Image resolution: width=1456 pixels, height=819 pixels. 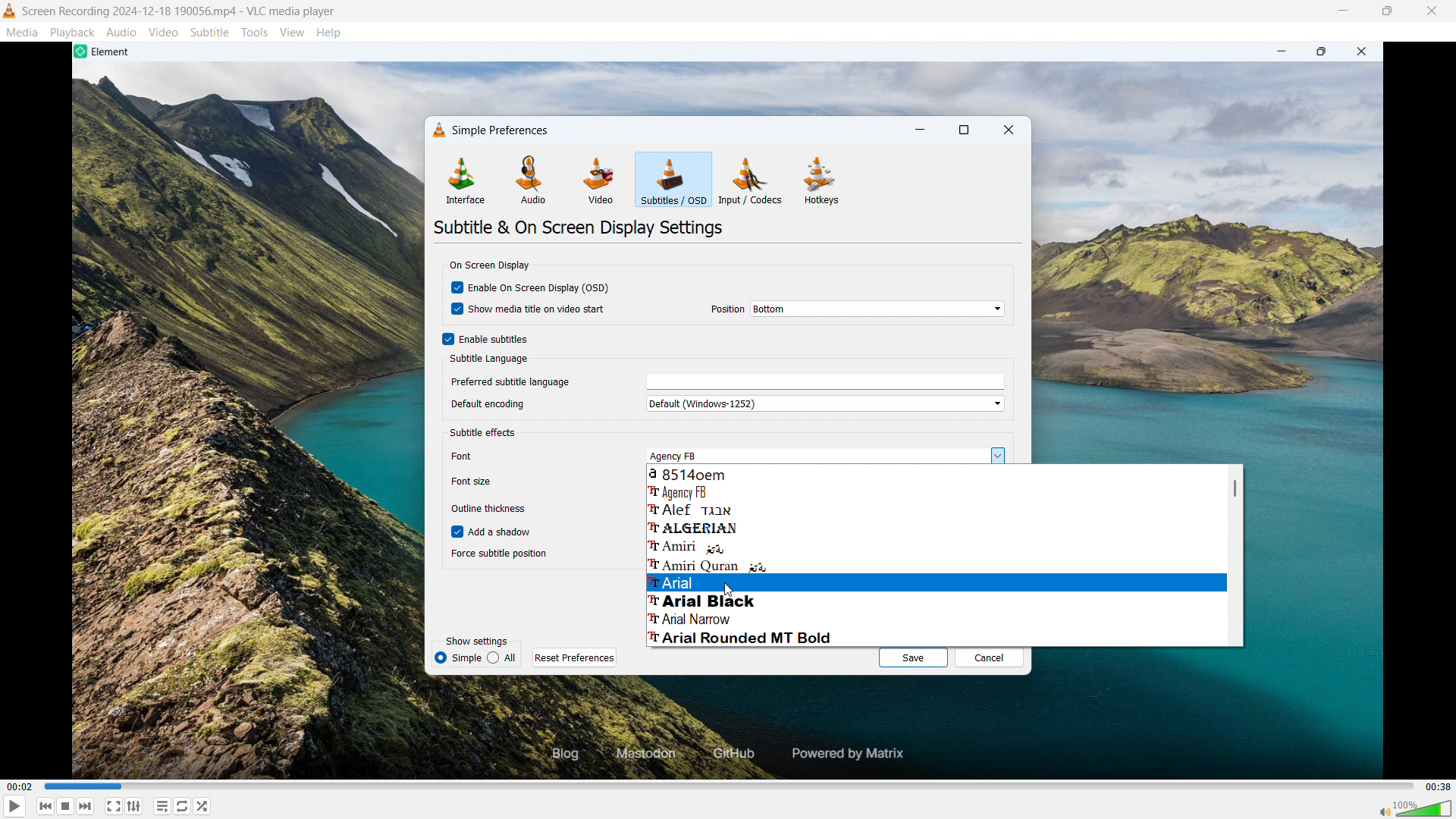 I want to click on subtitle, so click(x=210, y=32).